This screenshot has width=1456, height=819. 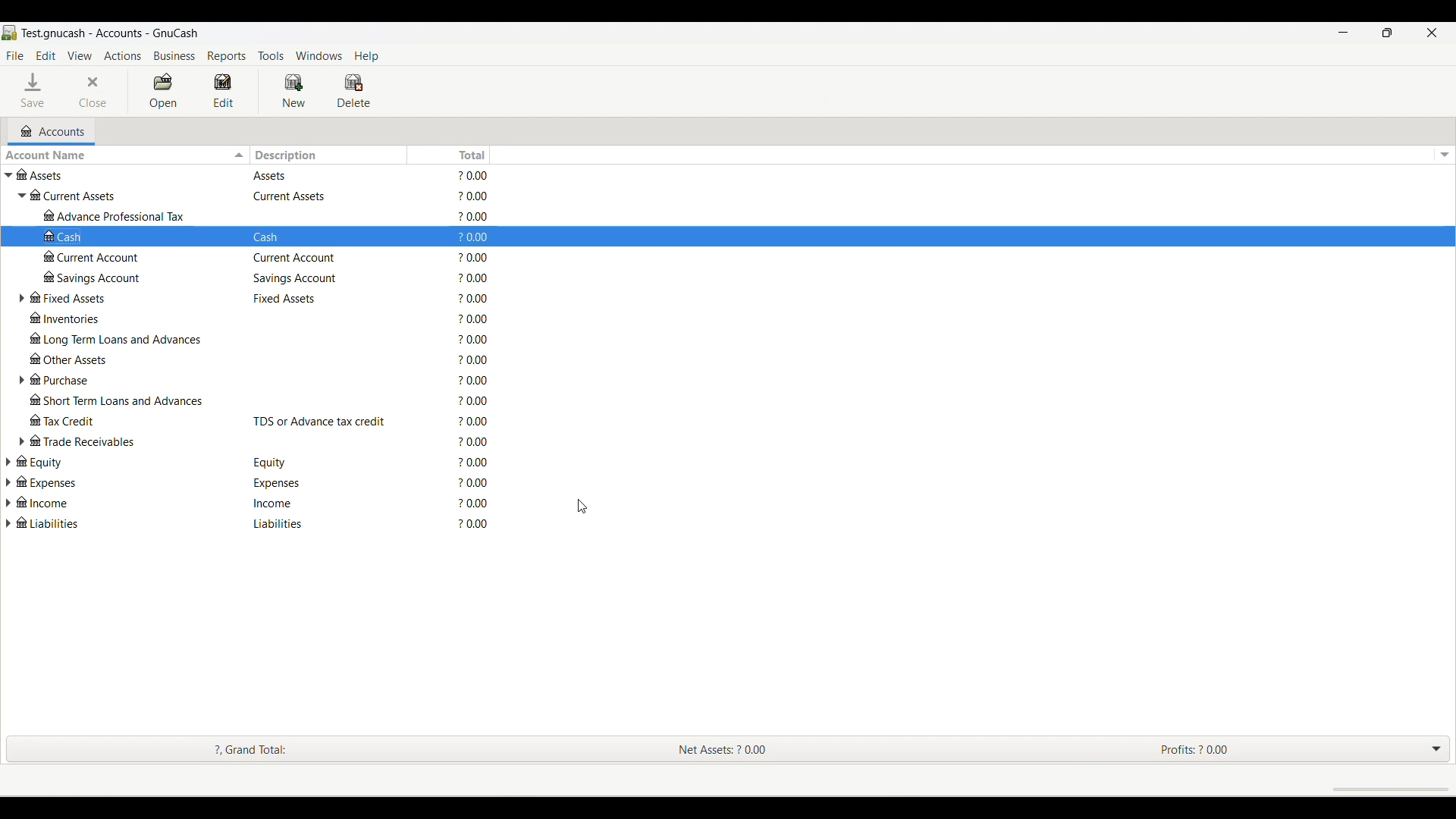 I want to click on View, so click(x=80, y=56).